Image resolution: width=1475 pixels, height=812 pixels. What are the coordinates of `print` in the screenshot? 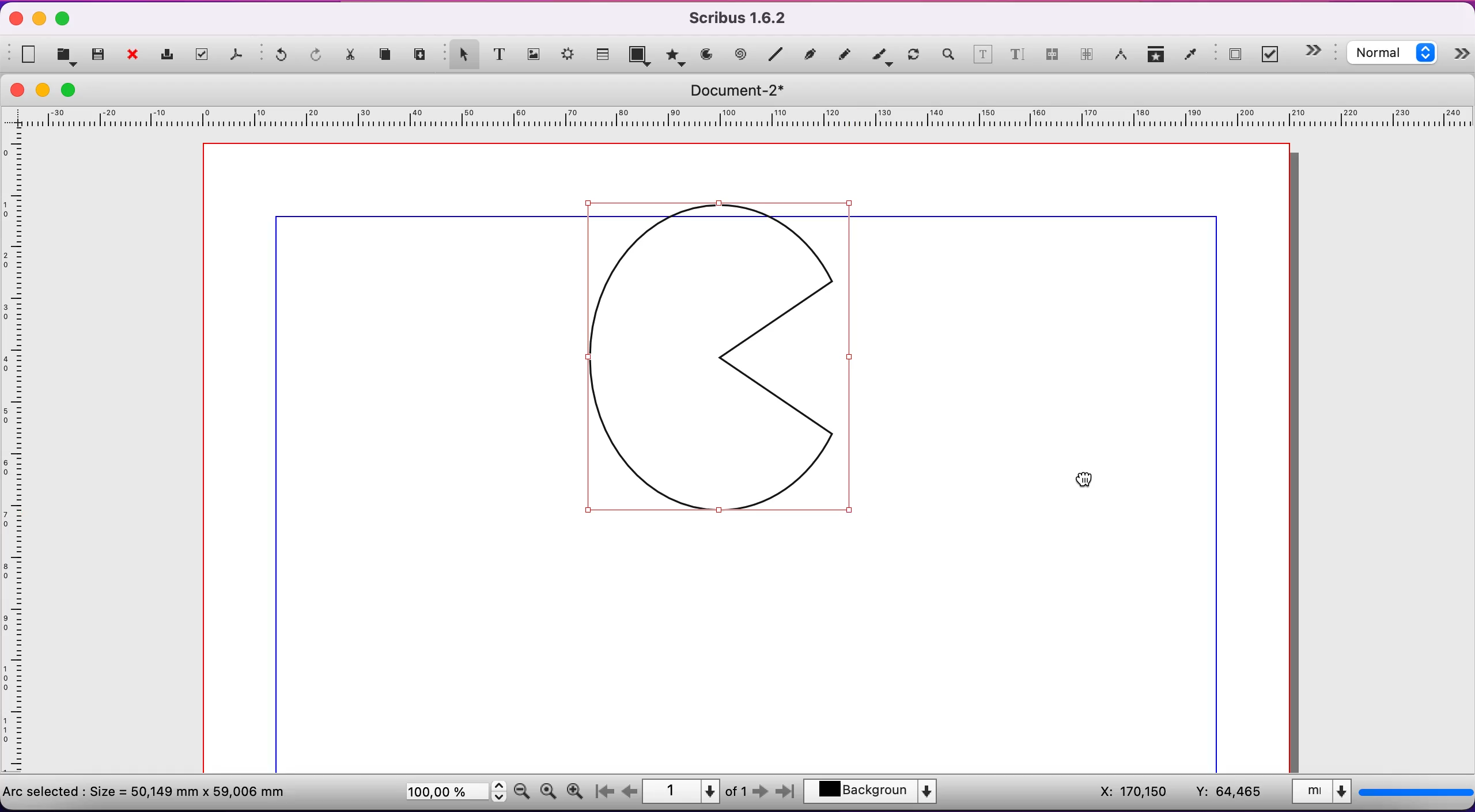 It's located at (170, 55).